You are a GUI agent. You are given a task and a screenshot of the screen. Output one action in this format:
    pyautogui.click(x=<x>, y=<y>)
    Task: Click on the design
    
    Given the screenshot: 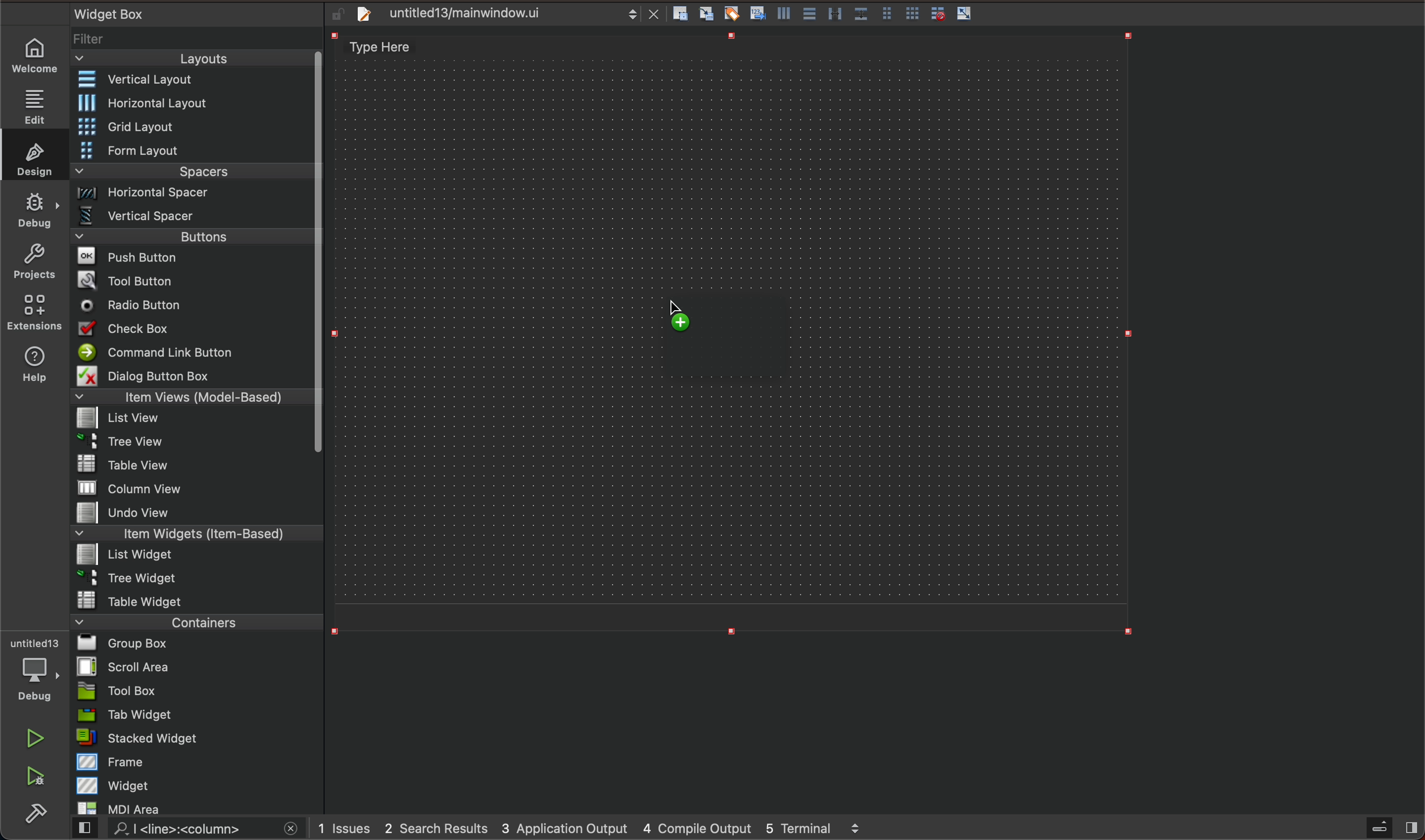 What is the action you would take?
    pyautogui.click(x=33, y=155)
    